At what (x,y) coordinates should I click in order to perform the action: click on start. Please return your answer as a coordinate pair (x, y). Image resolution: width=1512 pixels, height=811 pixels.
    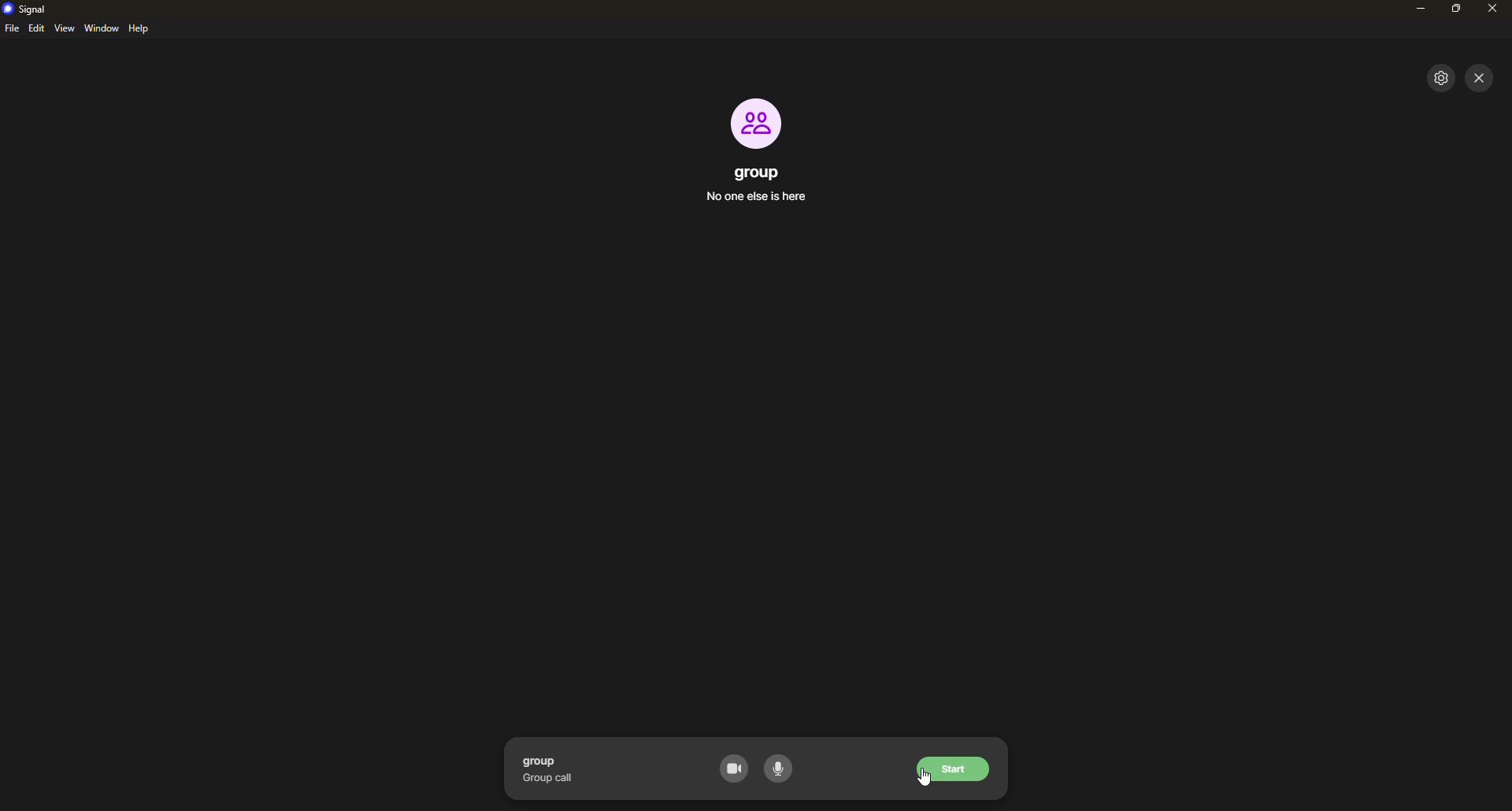
    Looking at the image, I should click on (953, 768).